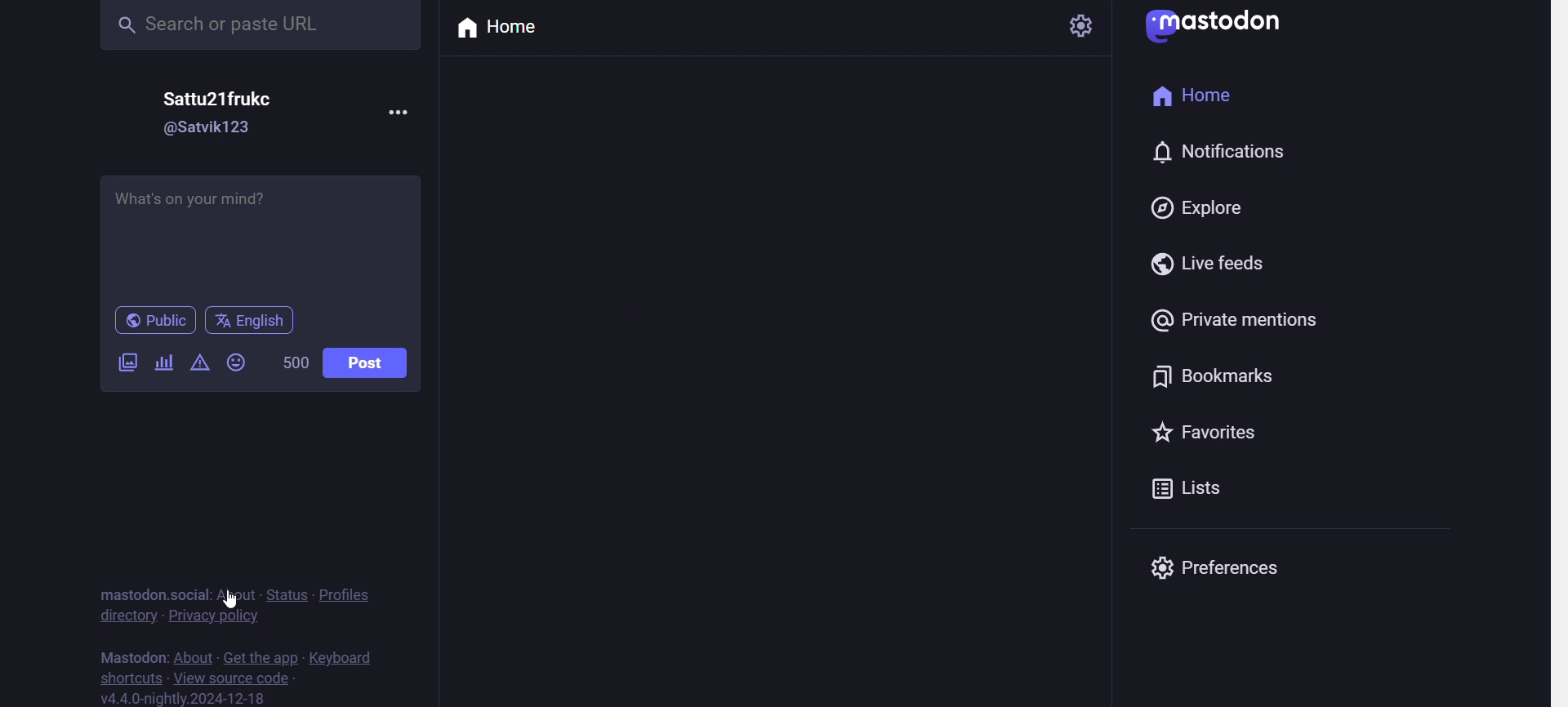  Describe the element at coordinates (291, 595) in the screenshot. I see `status` at that location.